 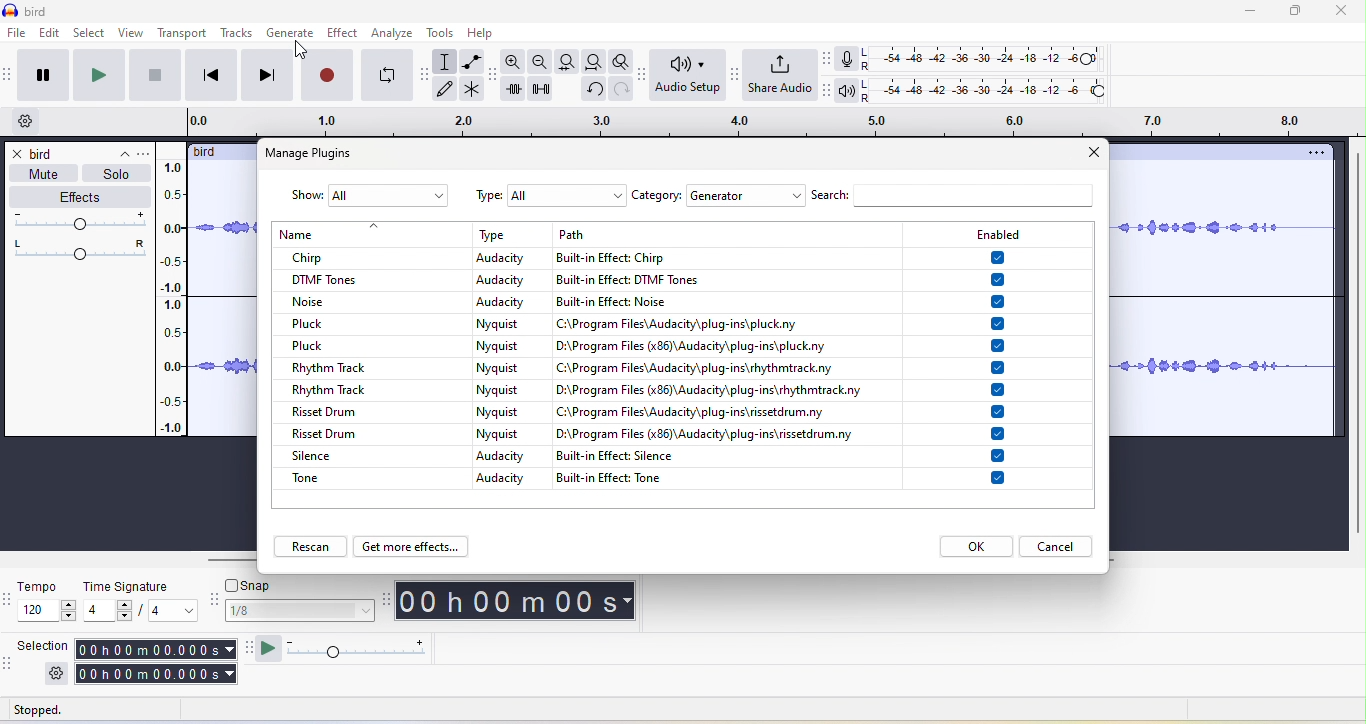 What do you see at coordinates (56, 675) in the screenshot?
I see `selection settings` at bounding box center [56, 675].